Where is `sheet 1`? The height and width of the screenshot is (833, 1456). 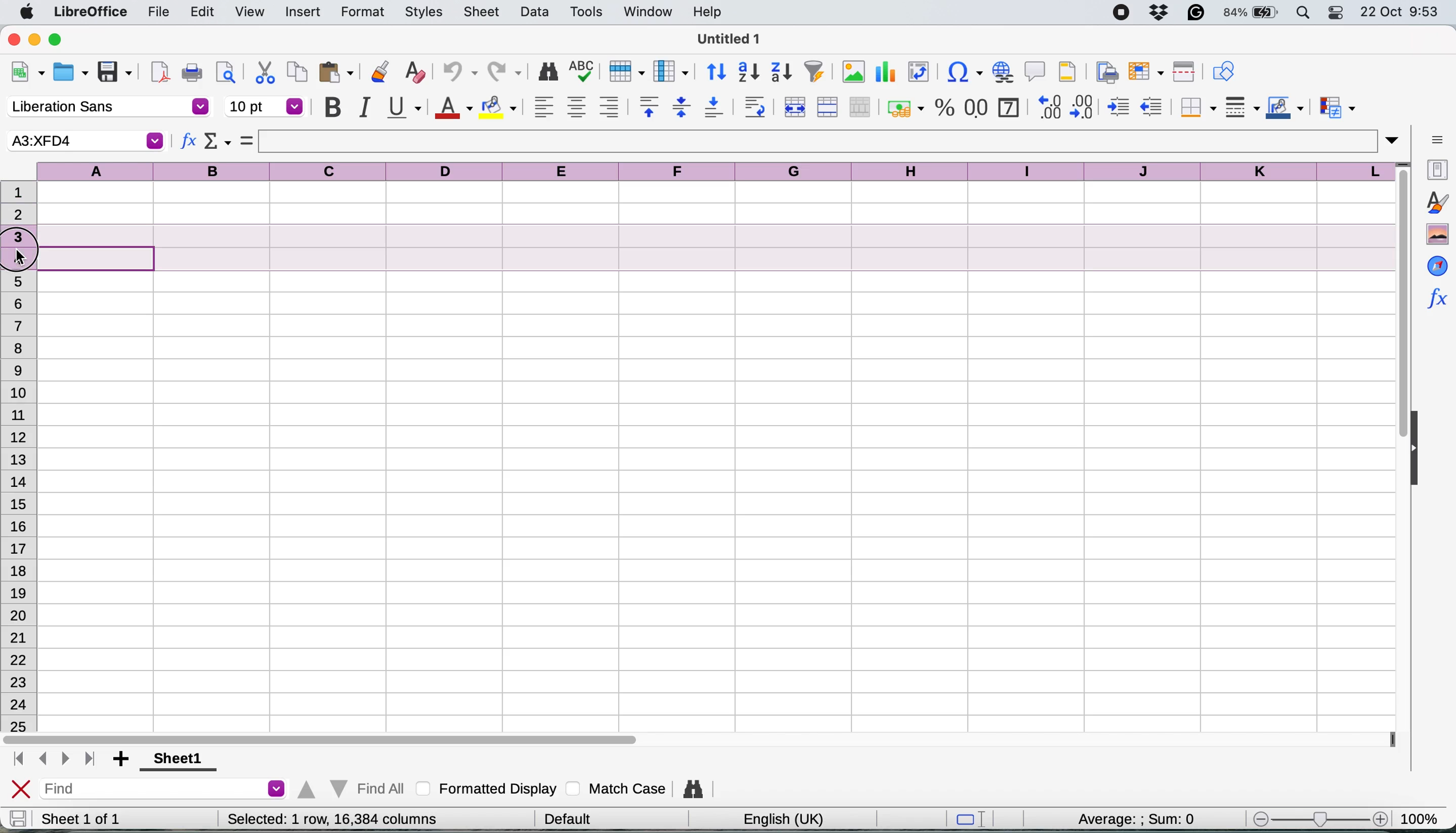 sheet 1 is located at coordinates (174, 760).